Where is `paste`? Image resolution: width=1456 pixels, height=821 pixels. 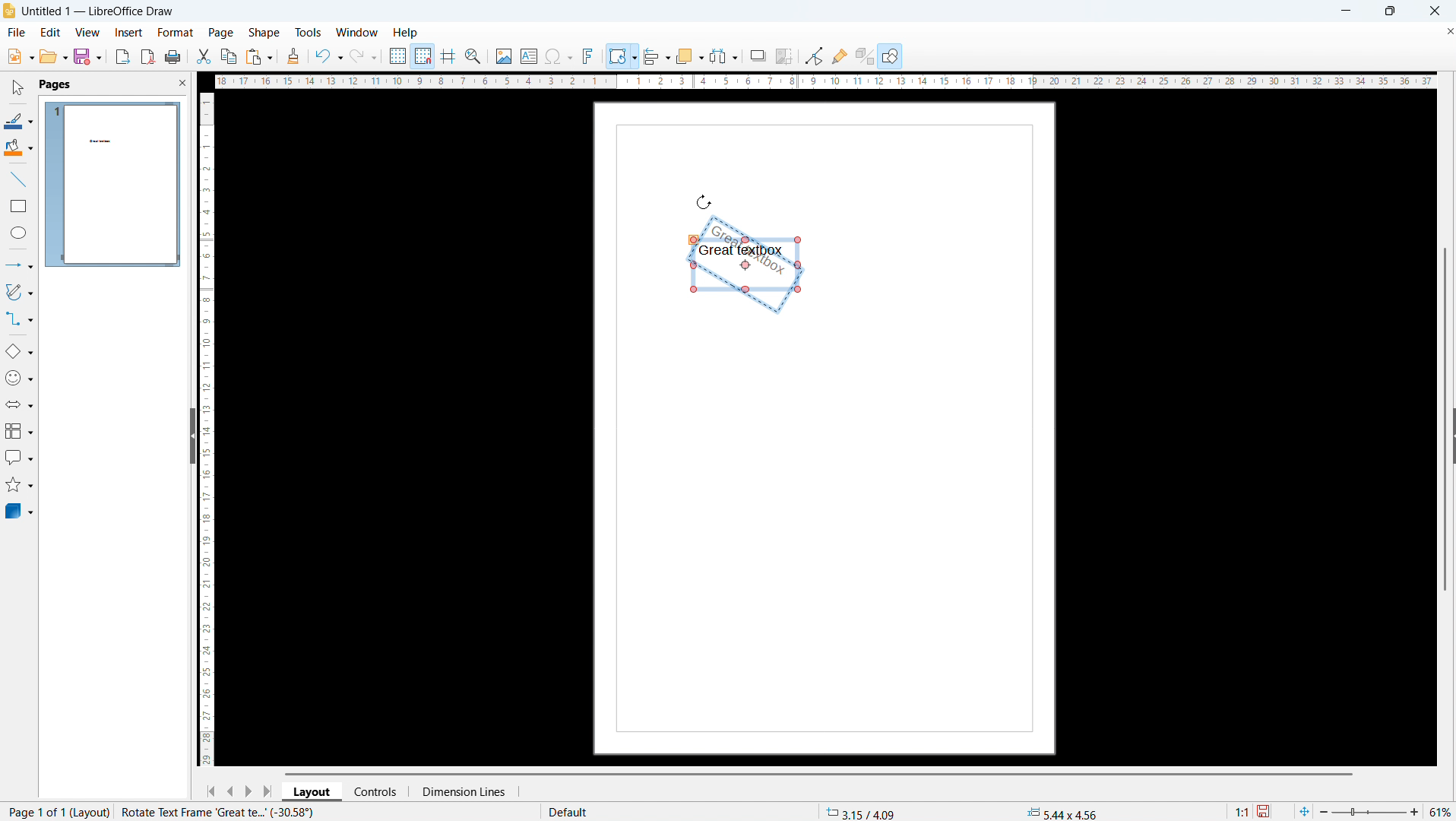
paste is located at coordinates (258, 57).